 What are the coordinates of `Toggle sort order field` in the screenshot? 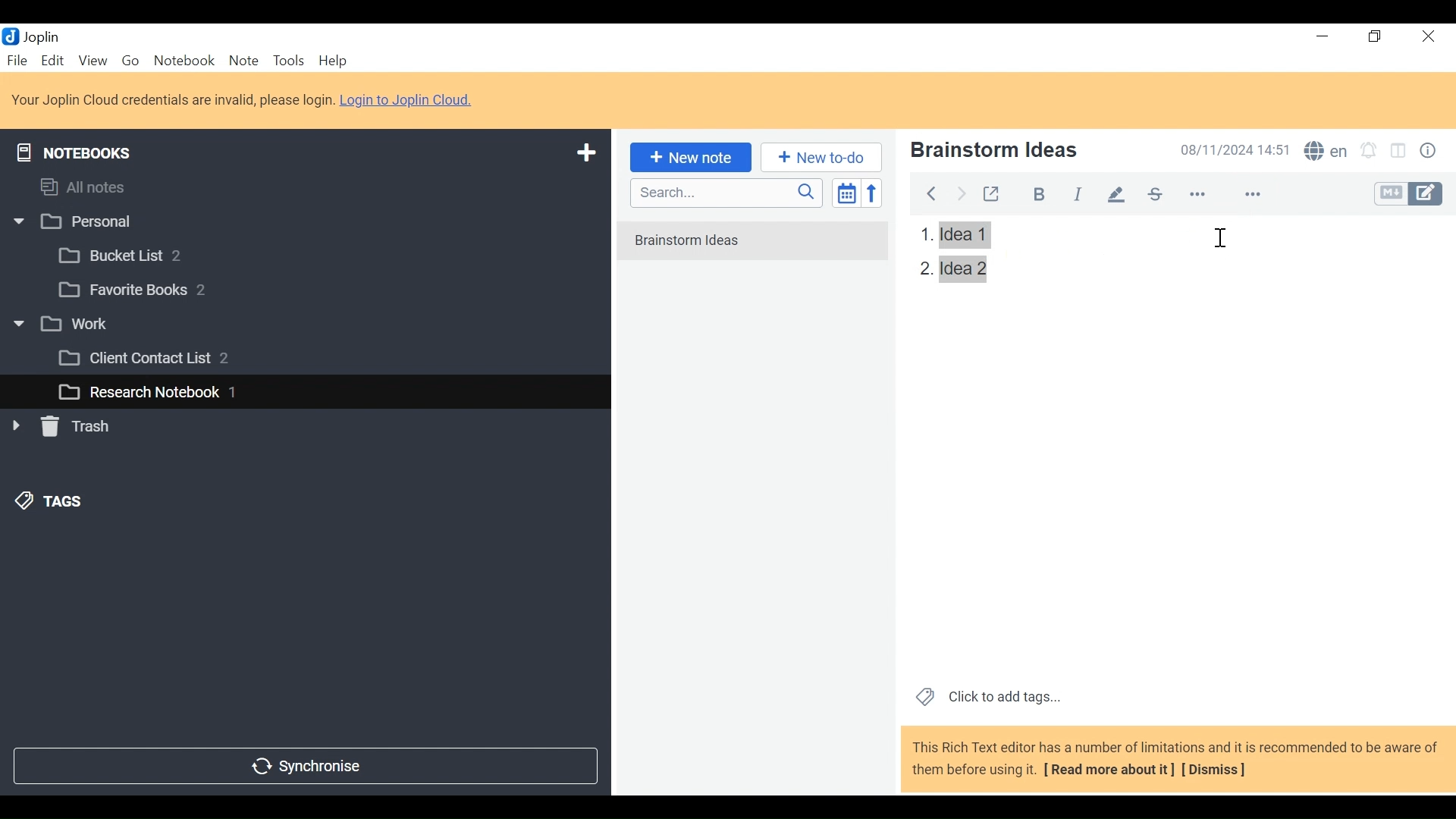 It's located at (845, 192).